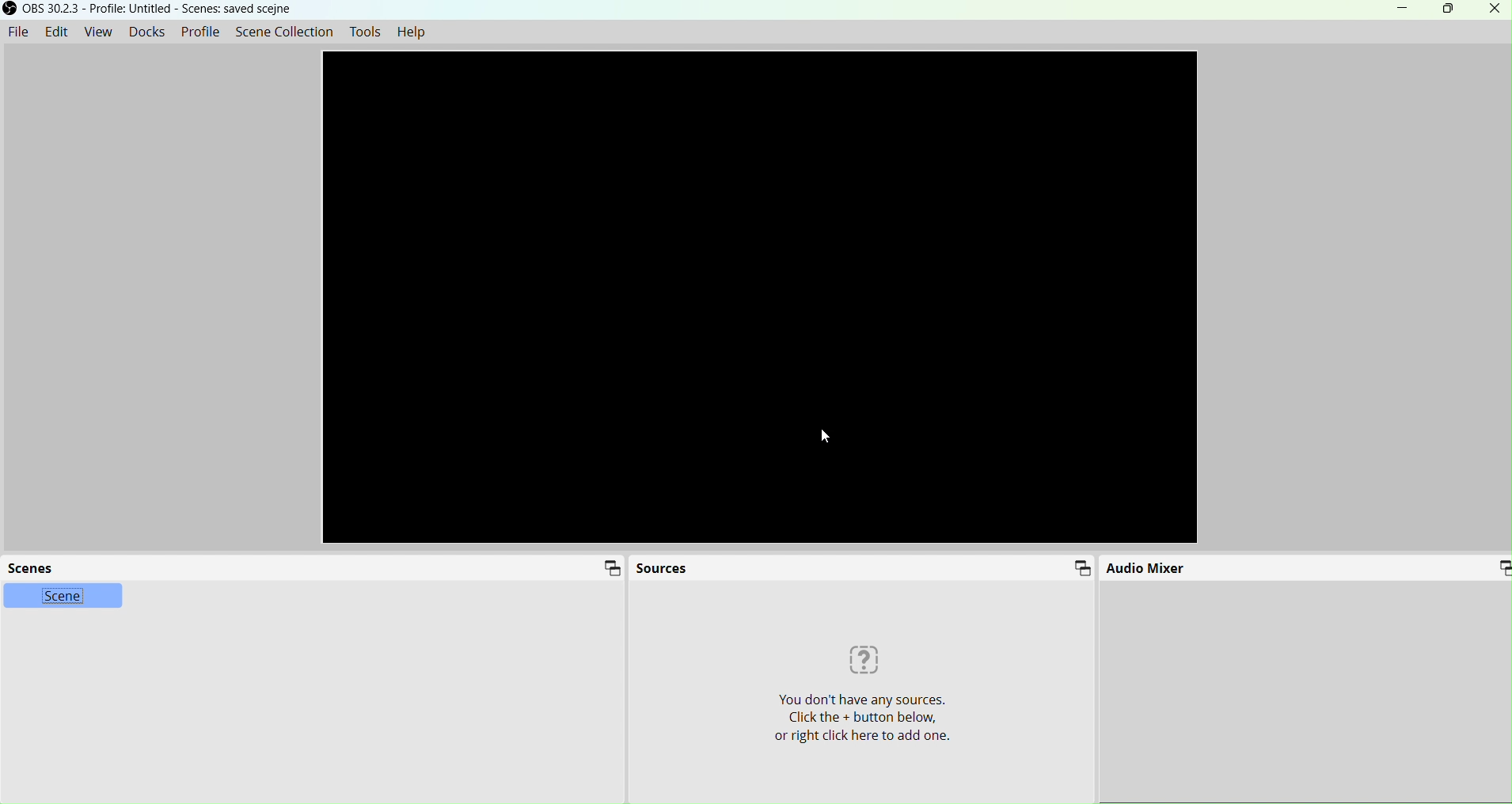 The image size is (1512, 804). Describe the element at coordinates (823, 436) in the screenshot. I see `Cursor` at that location.